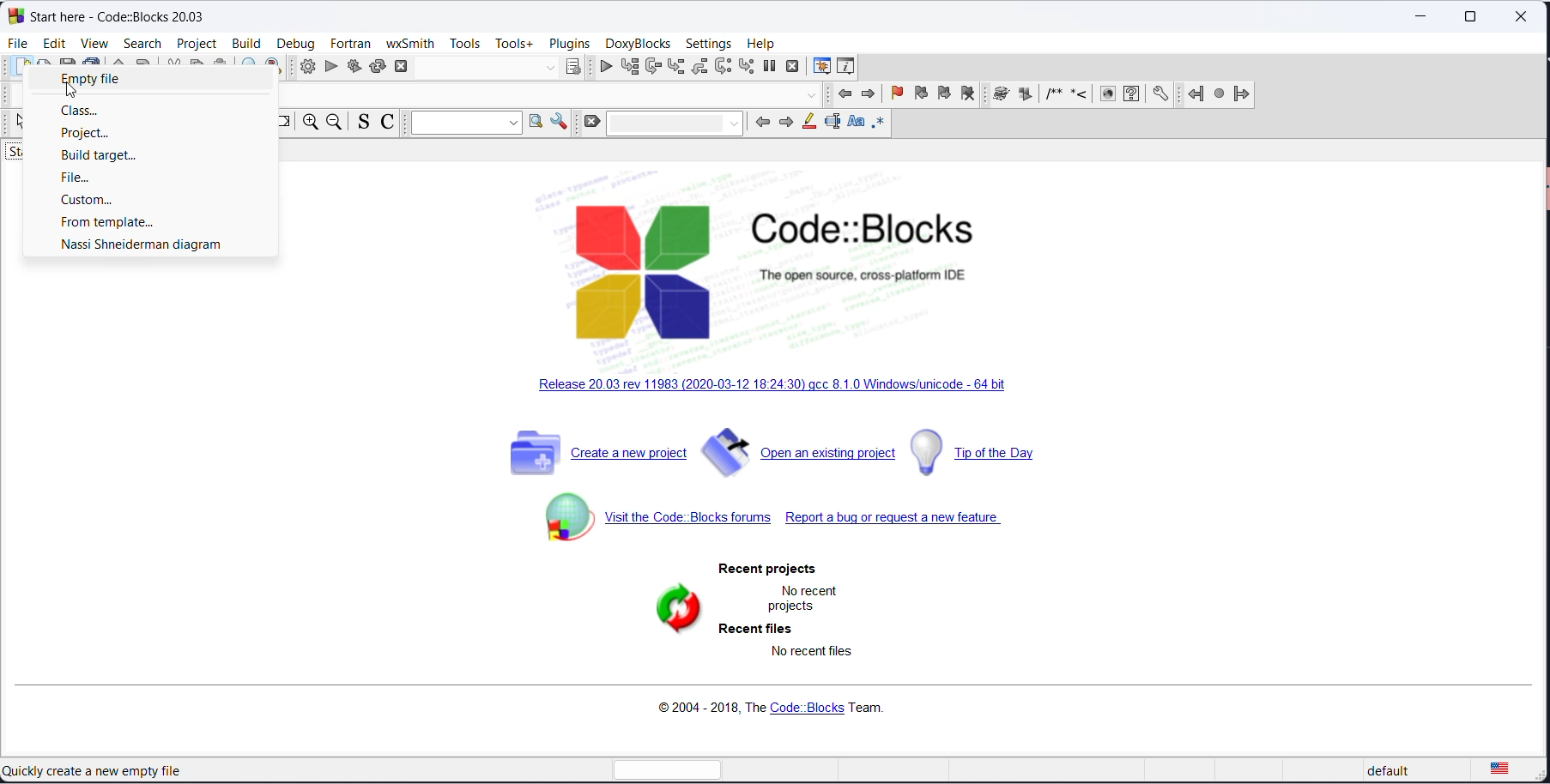 The width and height of the screenshot is (1550, 784). What do you see at coordinates (1423, 19) in the screenshot?
I see `minimize` at bounding box center [1423, 19].